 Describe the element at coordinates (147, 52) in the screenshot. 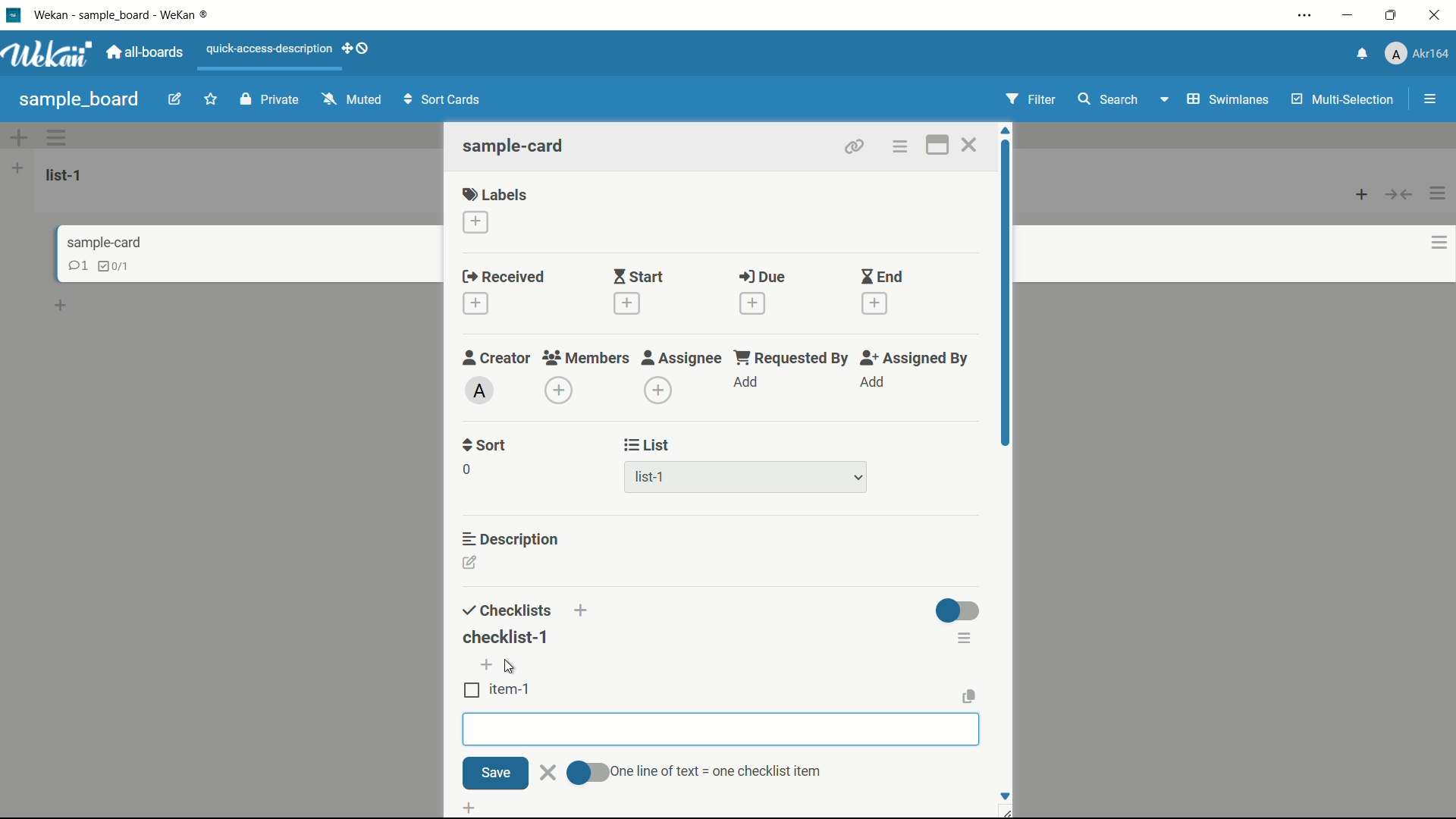

I see `all boards` at that location.